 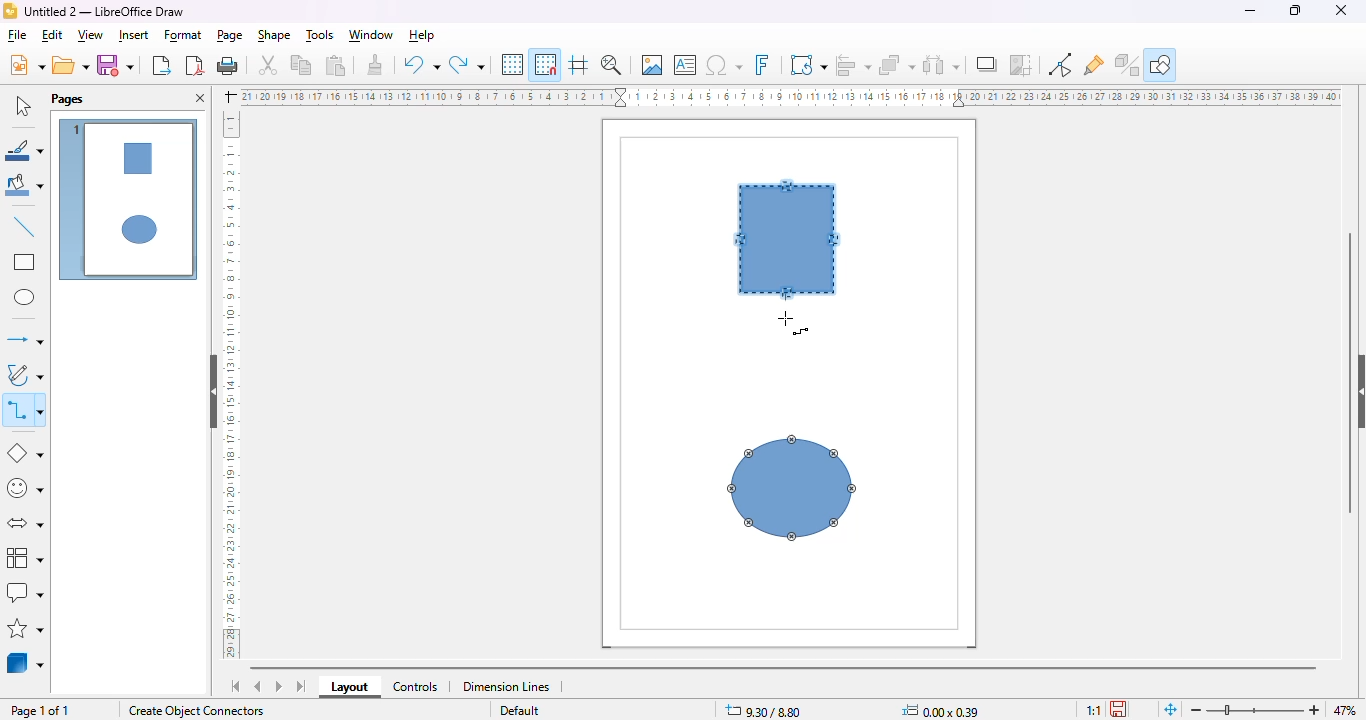 What do you see at coordinates (10, 11) in the screenshot?
I see `logo` at bounding box center [10, 11].